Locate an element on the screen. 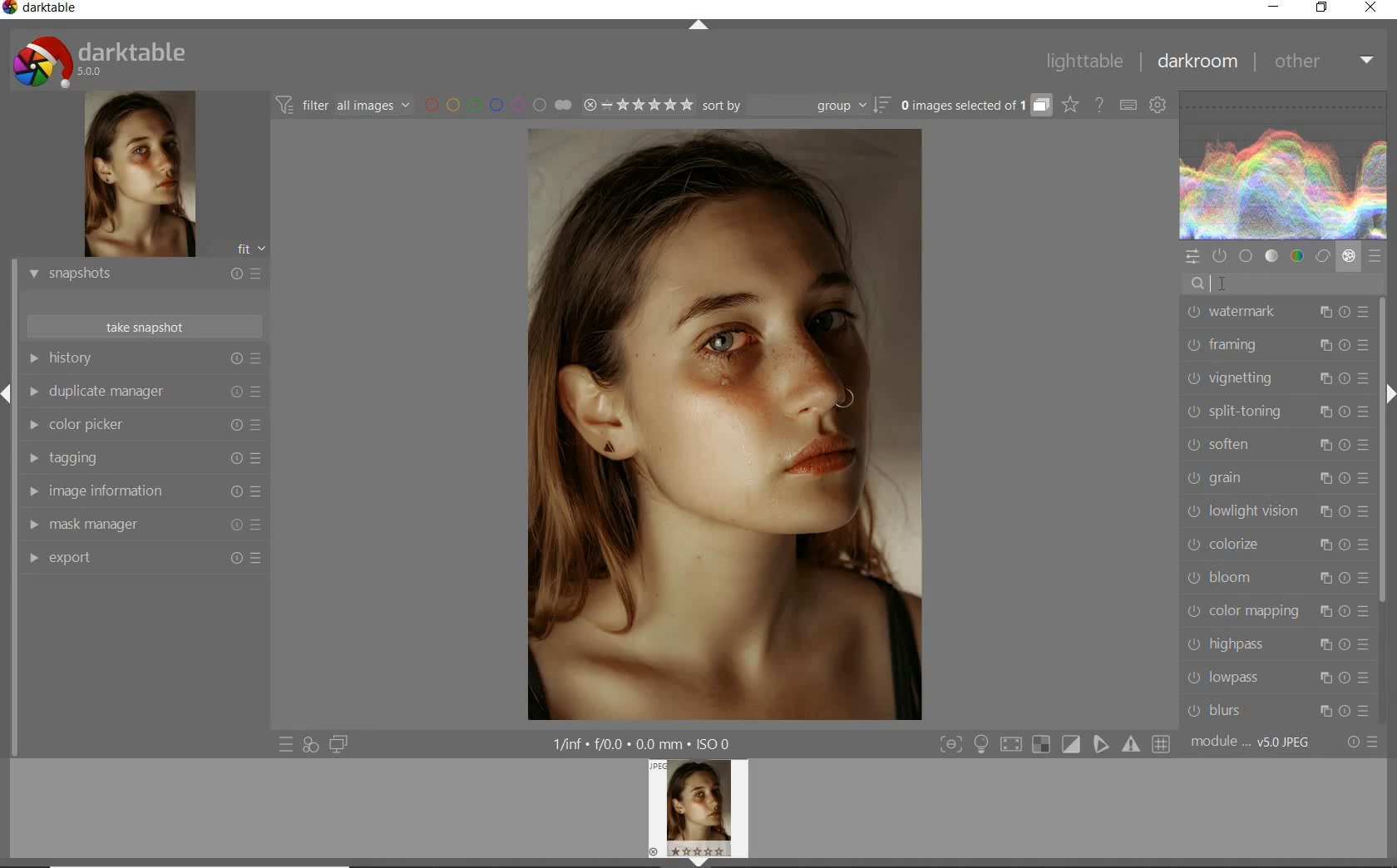 Image resolution: width=1397 pixels, height=868 pixels. color picker is located at coordinates (143, 426).